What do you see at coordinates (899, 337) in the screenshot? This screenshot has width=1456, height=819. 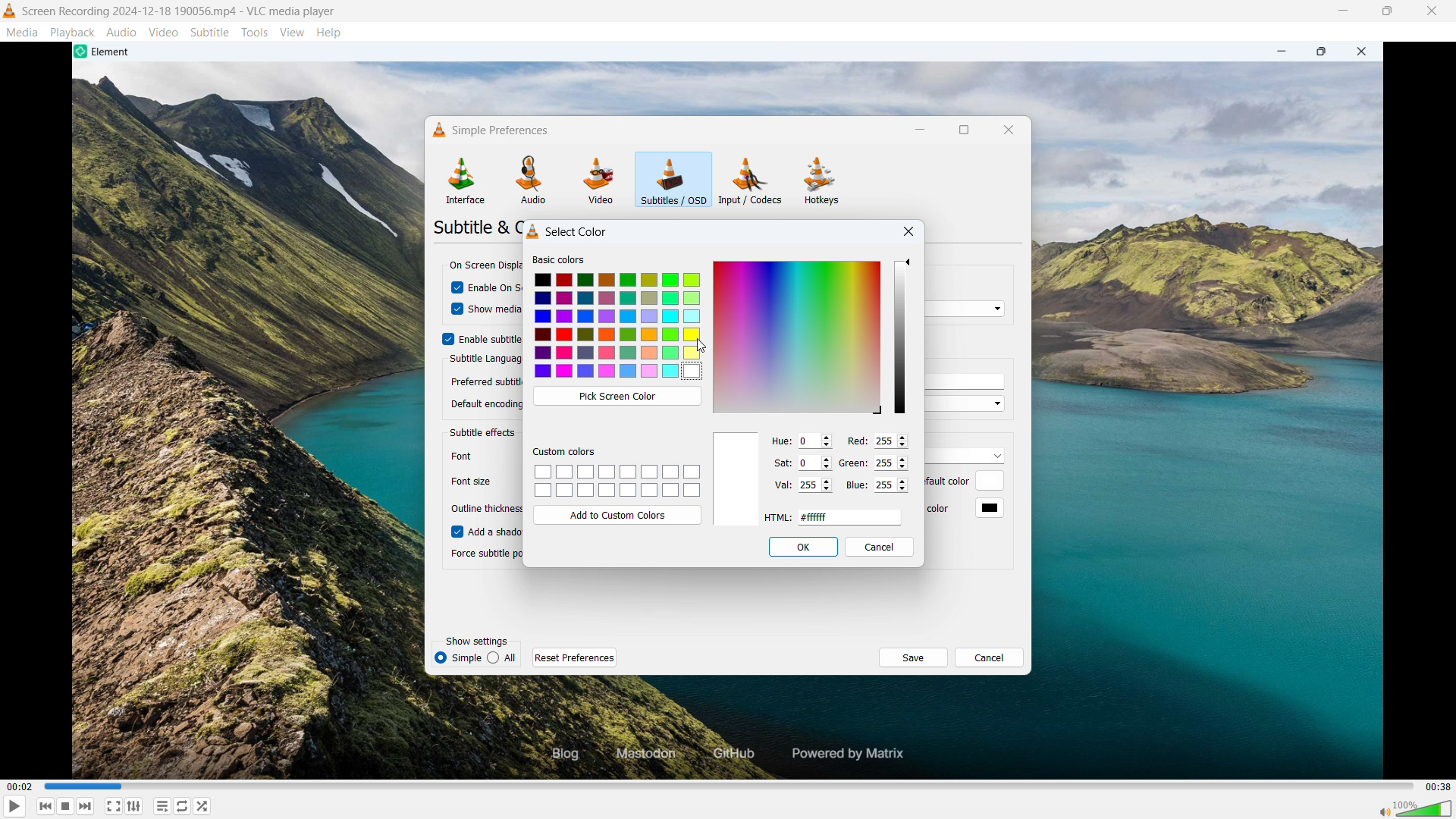 I see `select opacity` at bounding box center [899, 337].